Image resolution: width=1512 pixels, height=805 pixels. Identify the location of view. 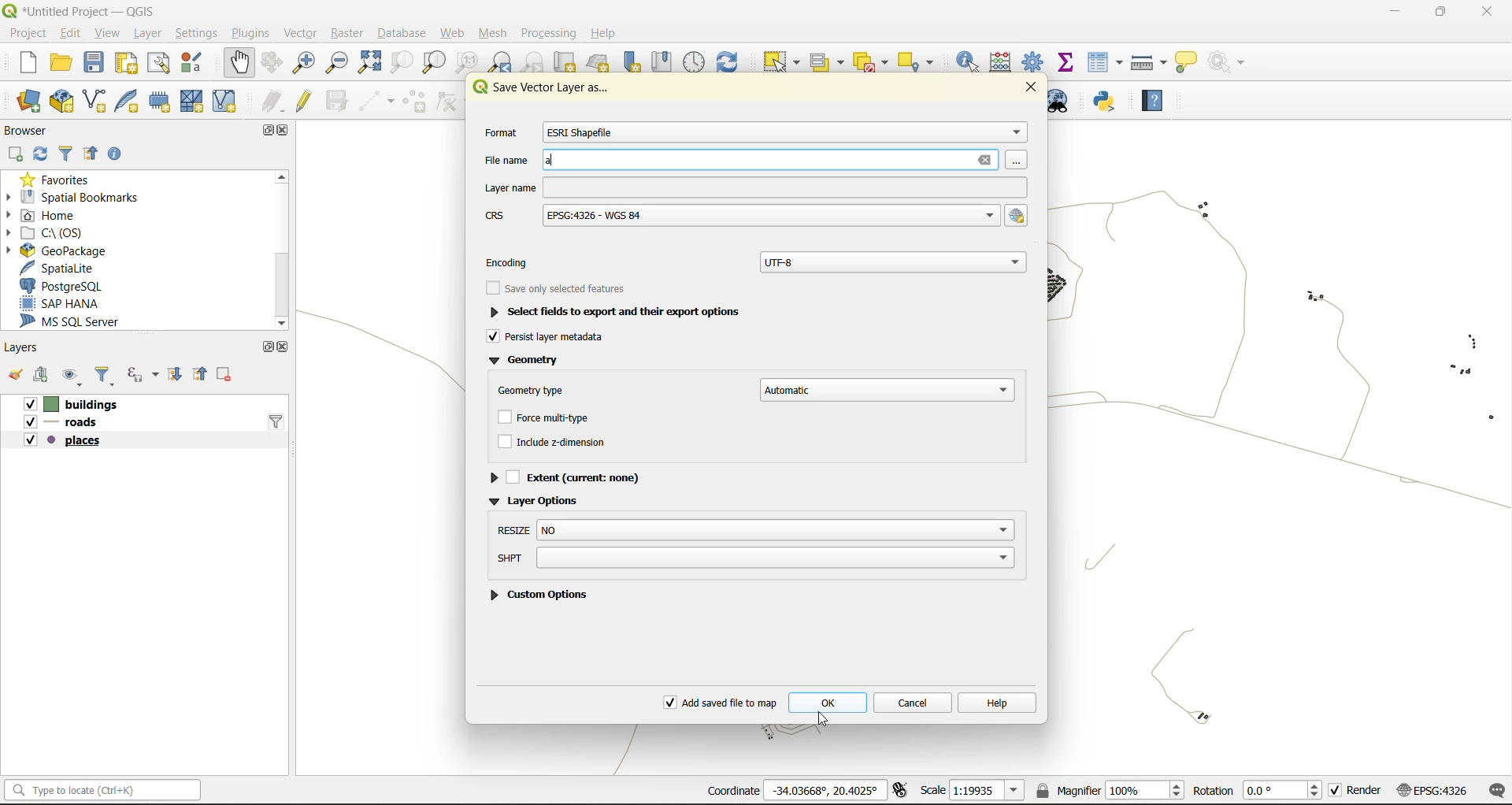
(109, 32).